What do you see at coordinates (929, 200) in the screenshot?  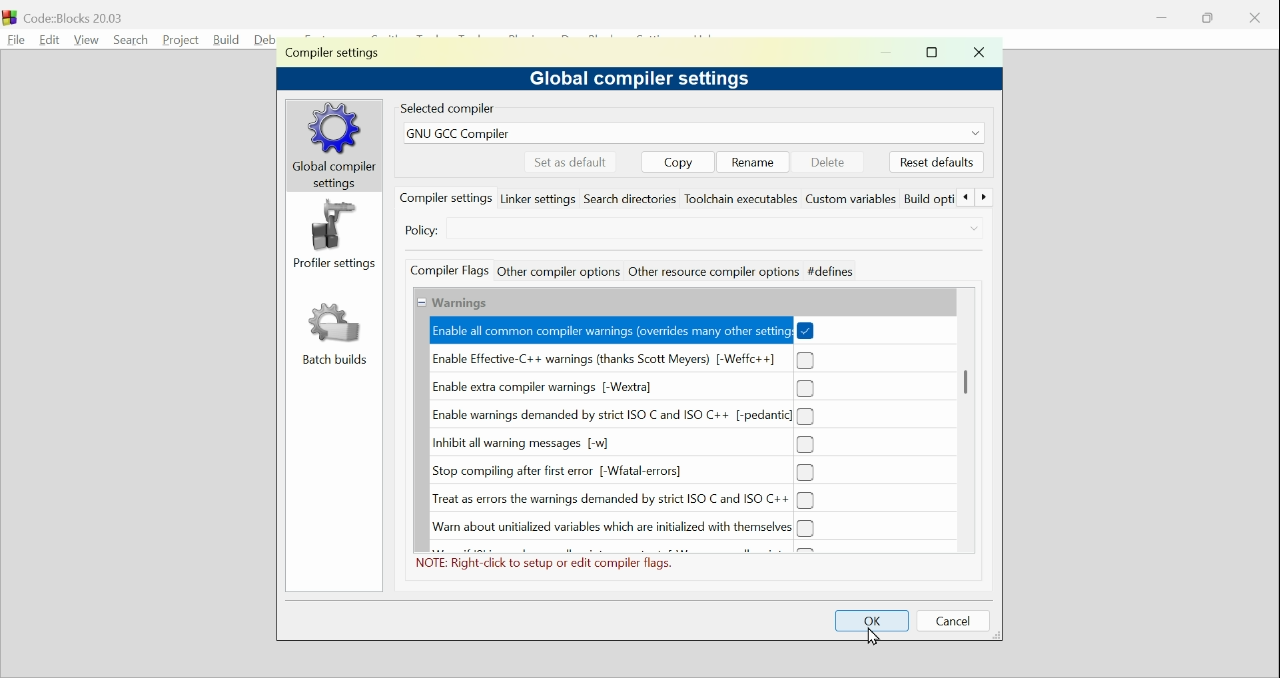 I see `Build options` at bounding box center [929, 200].